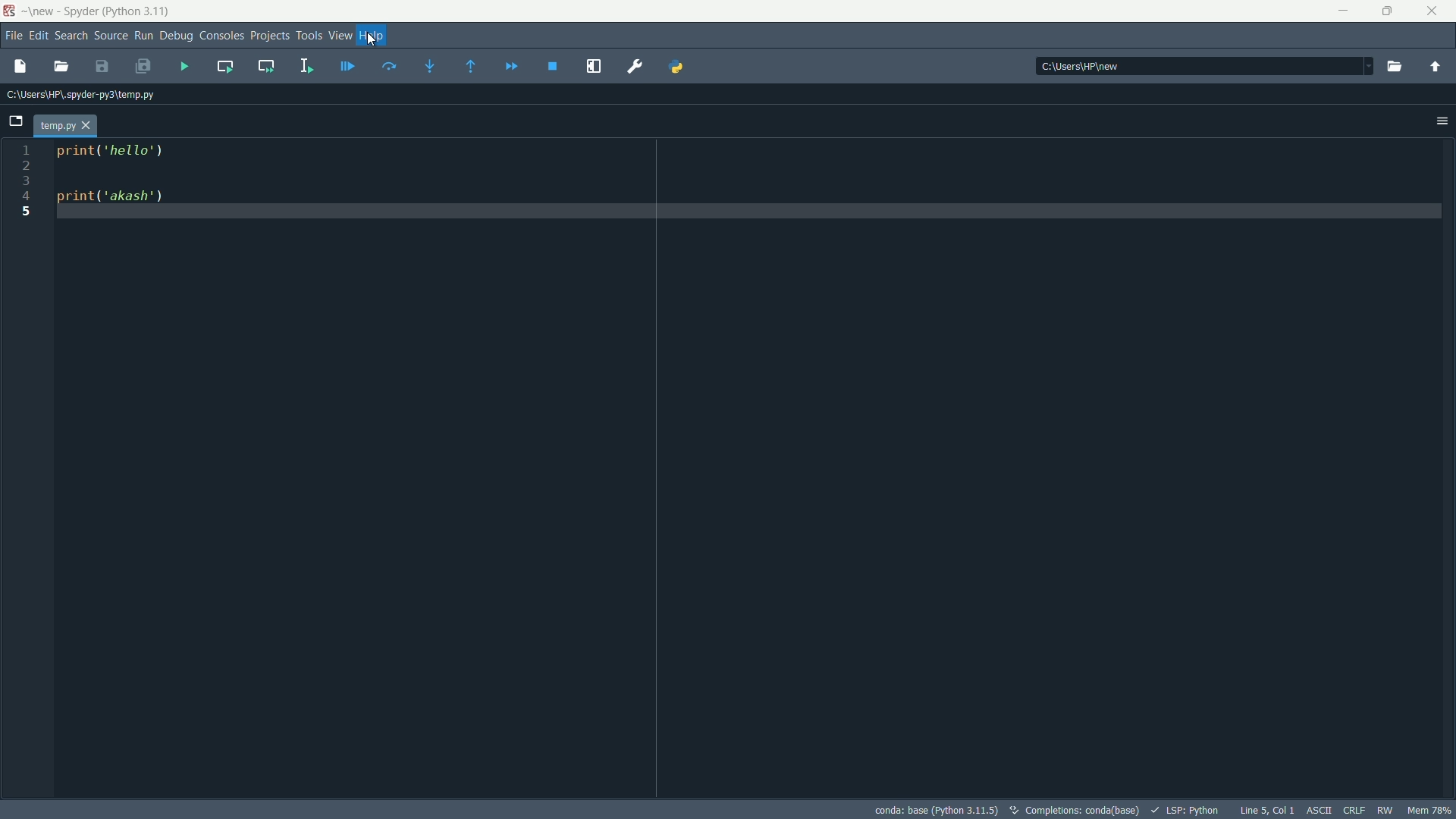 The height and width of the screenshot is (819, 1456). What do you see at coordinates (177, 34) in the screenshot?
I see `debug menu` at bounding box center [177, 34].